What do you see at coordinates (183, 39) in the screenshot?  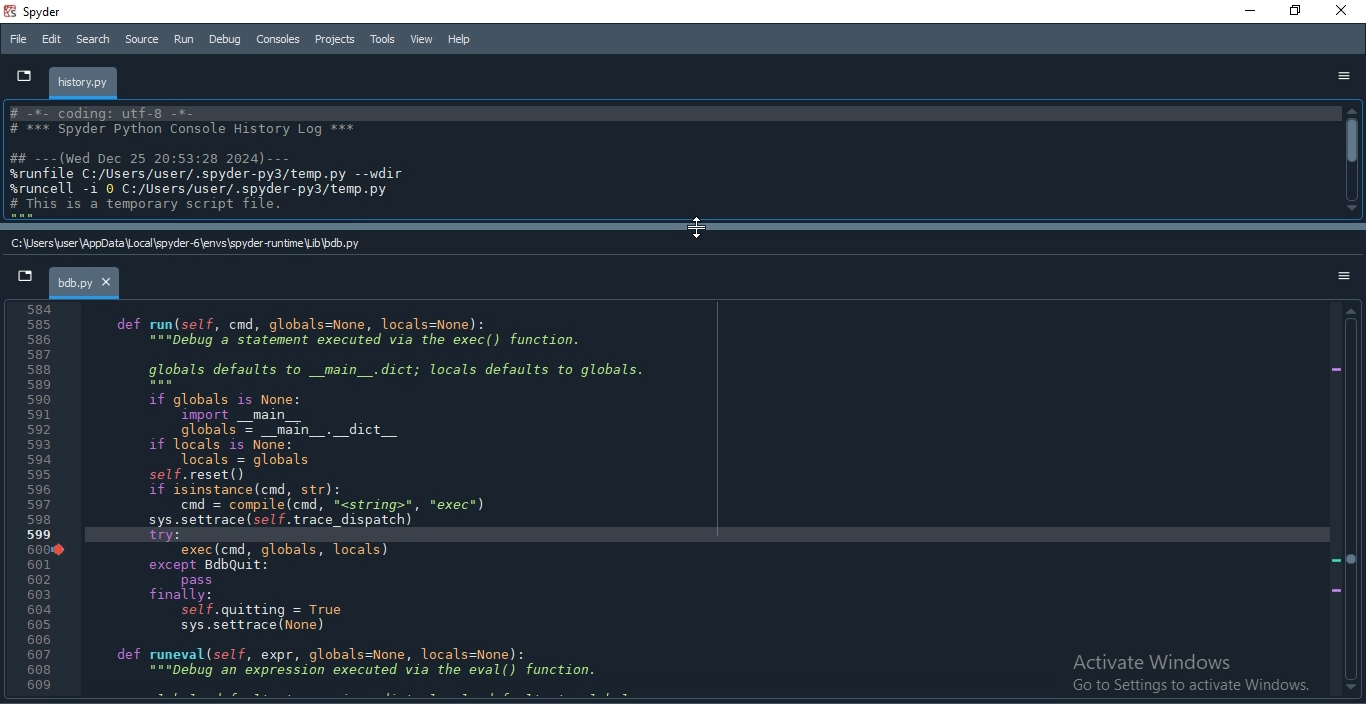 I see `Run` at bounding box center [183, 39].